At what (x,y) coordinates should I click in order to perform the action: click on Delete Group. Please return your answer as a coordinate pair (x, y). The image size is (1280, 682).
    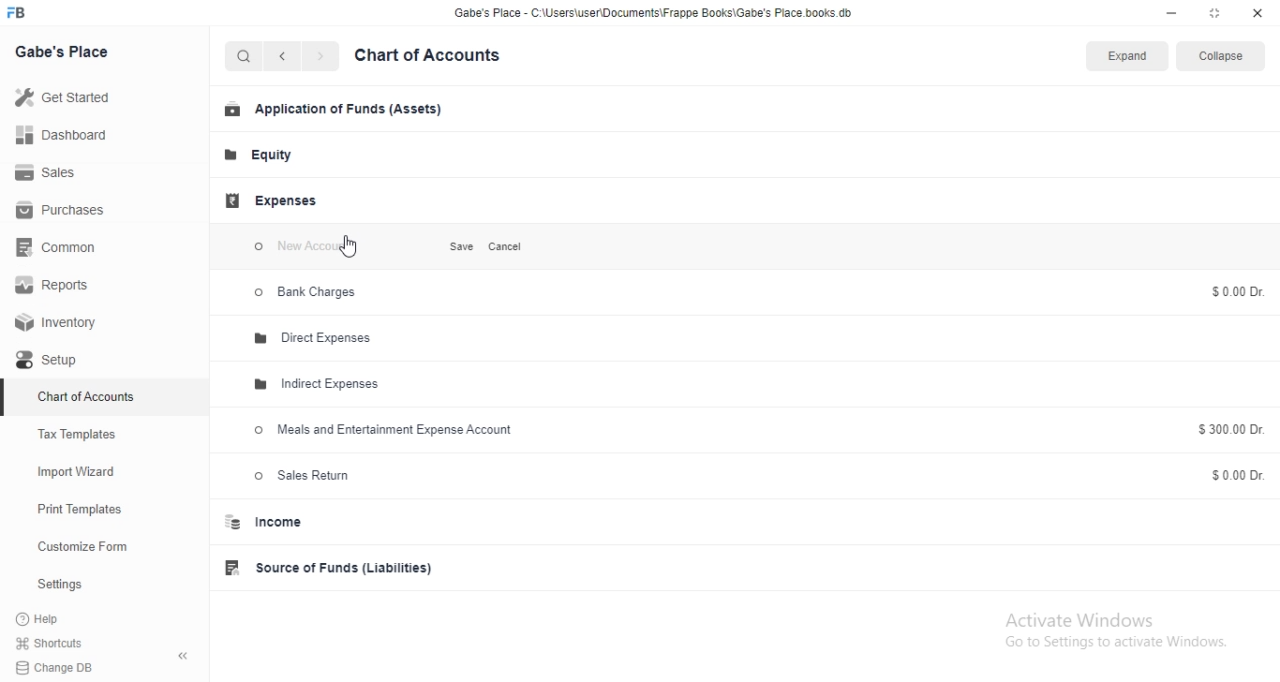
    Looking at the image, I should click on (514, 201).